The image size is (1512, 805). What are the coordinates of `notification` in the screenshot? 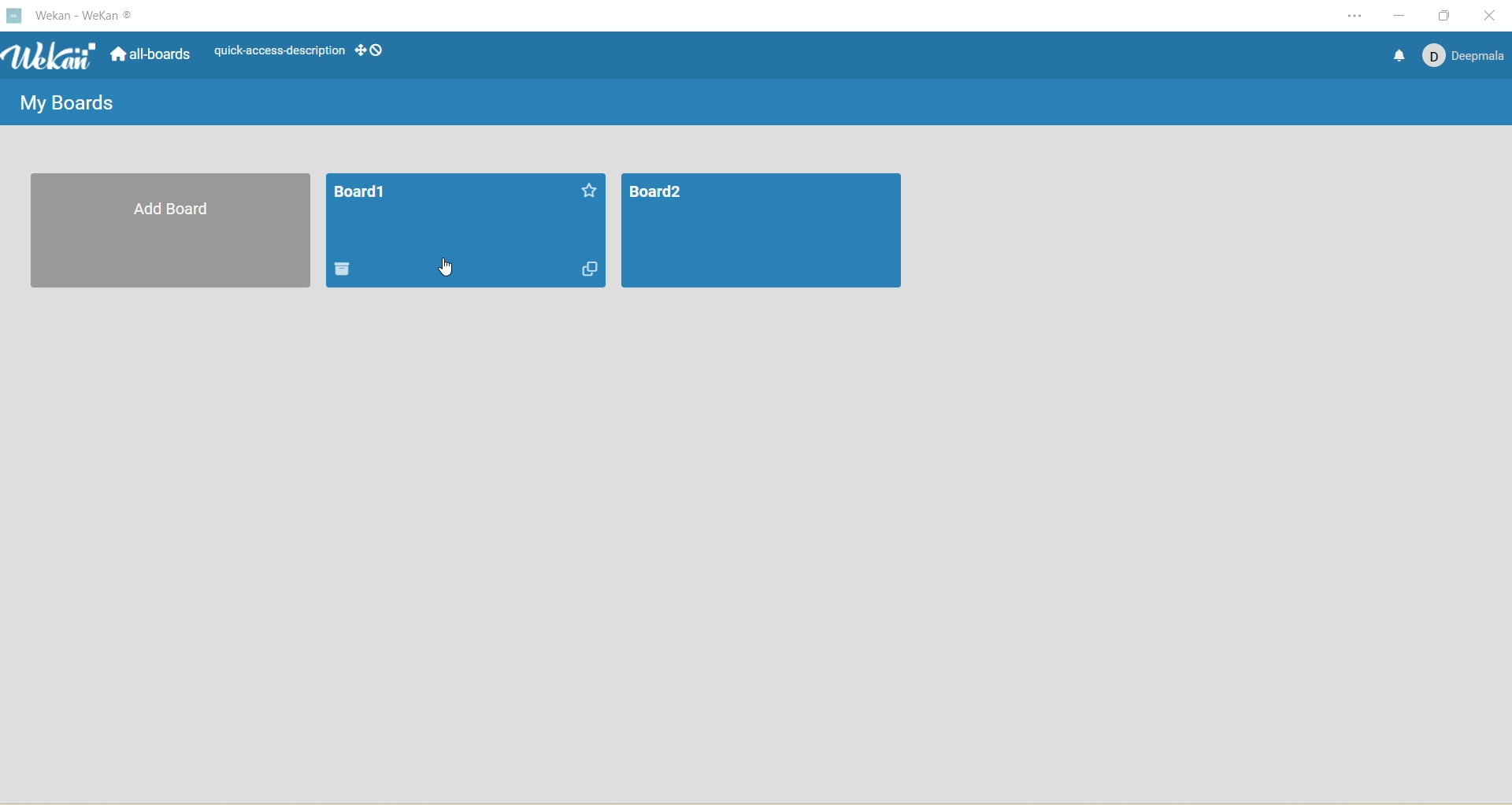 It's located at (1396, 58).